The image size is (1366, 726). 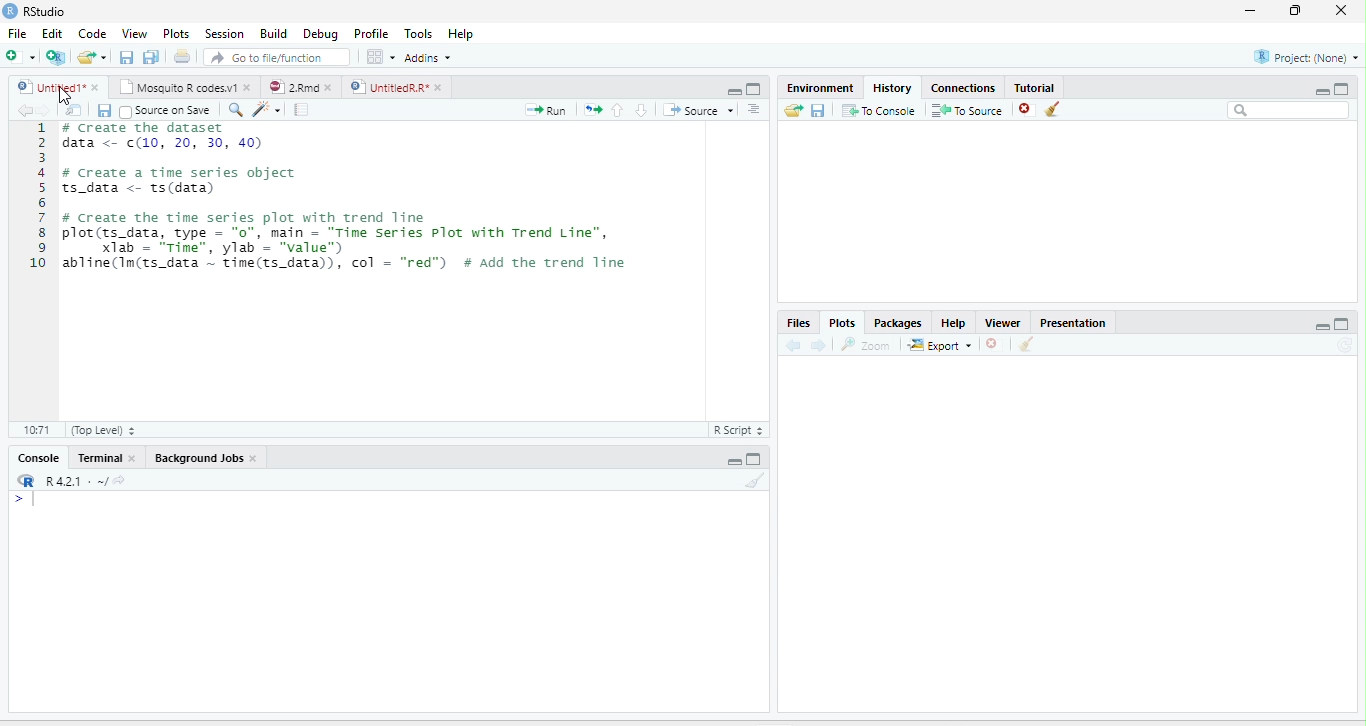 What do you see at coordinates (799, 323) in the screenshot?
I see `Files` at bounding box center [799, 323].